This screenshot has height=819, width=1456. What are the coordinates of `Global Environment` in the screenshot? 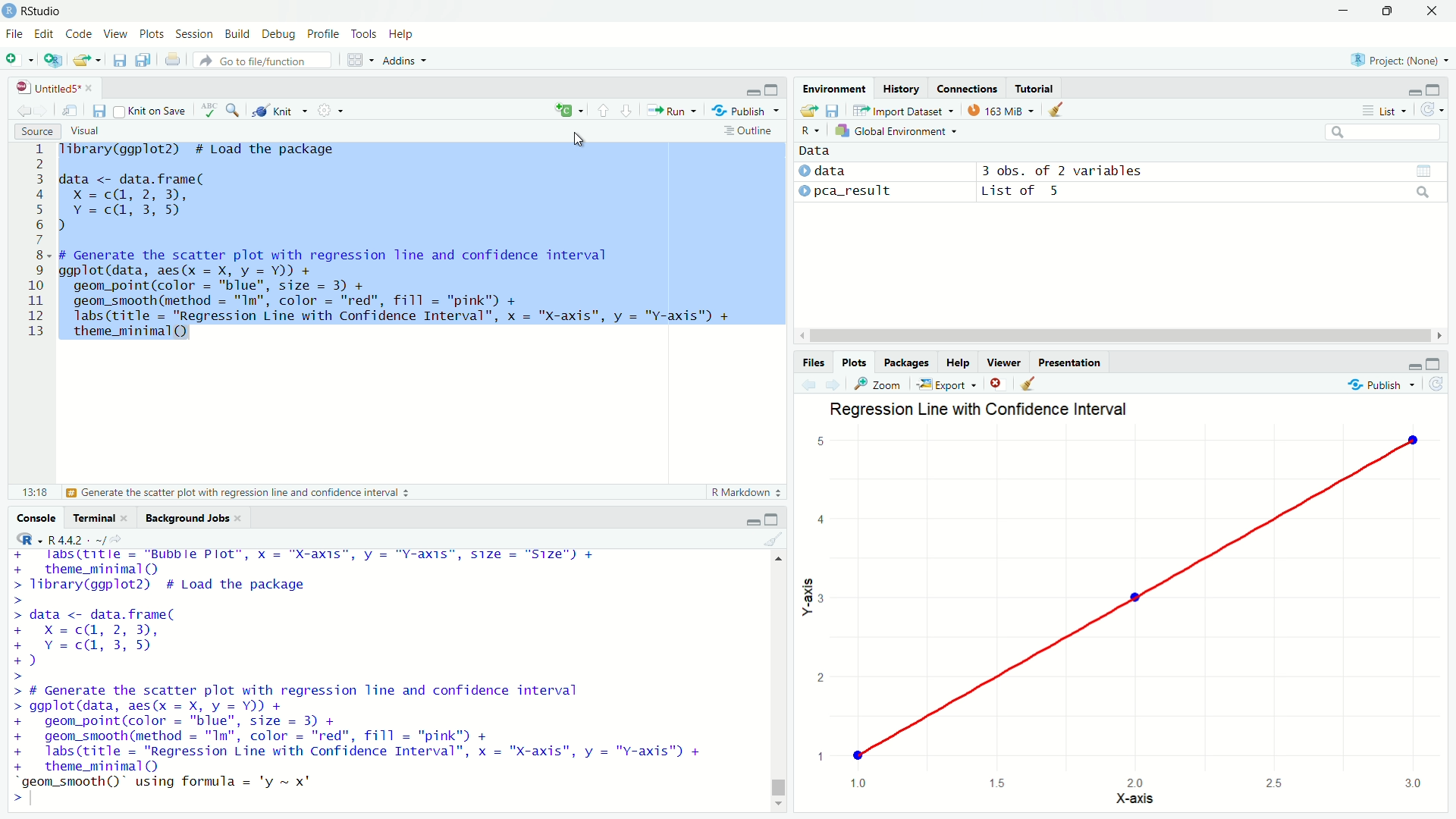 It's located at (898, 130).